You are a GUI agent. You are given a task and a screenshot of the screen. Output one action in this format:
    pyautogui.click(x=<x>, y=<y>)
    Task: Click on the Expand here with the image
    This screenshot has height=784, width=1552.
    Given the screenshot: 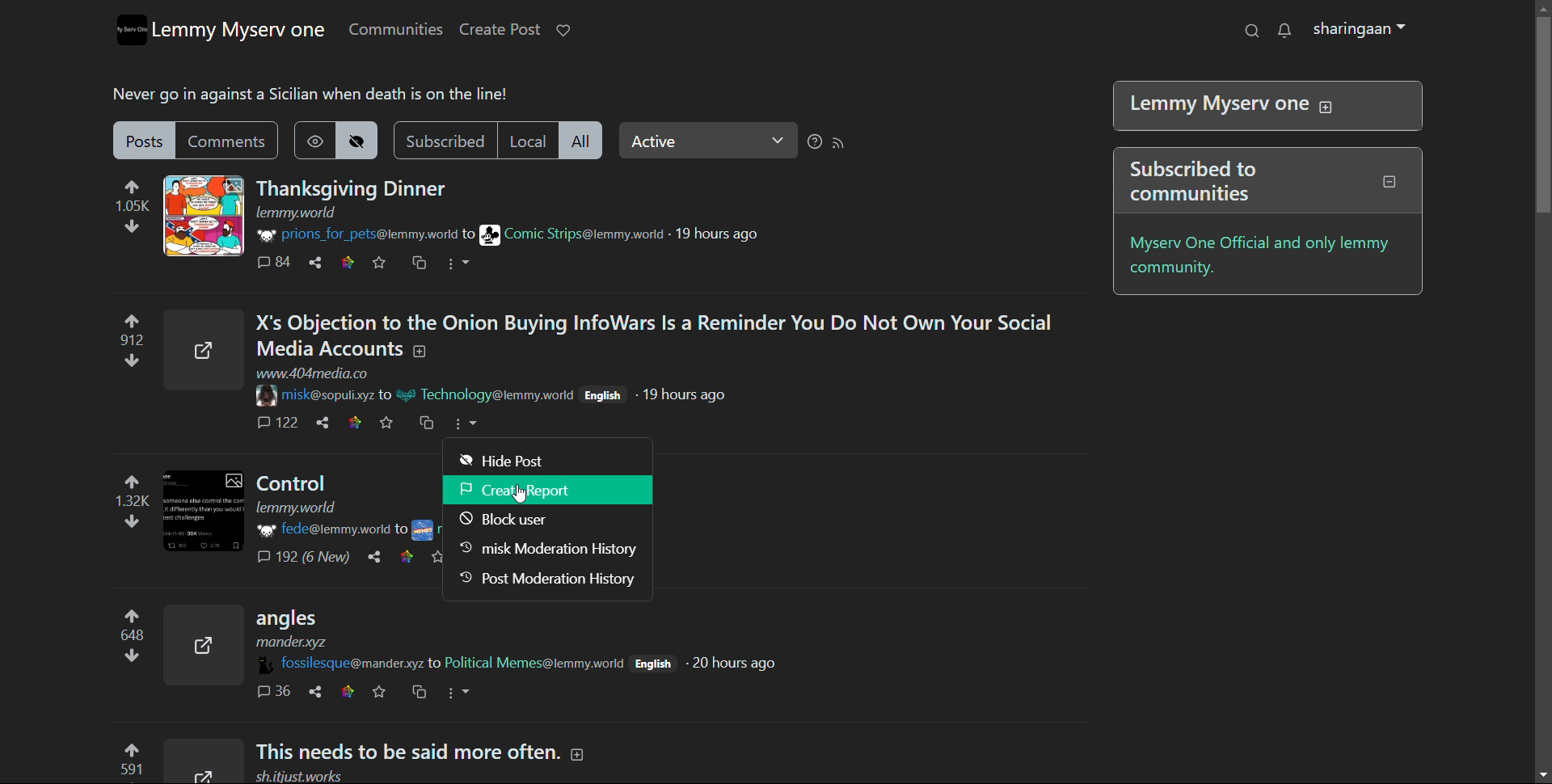 What is the action you would take?
    pyautogui.click(x=201, y=351)
    